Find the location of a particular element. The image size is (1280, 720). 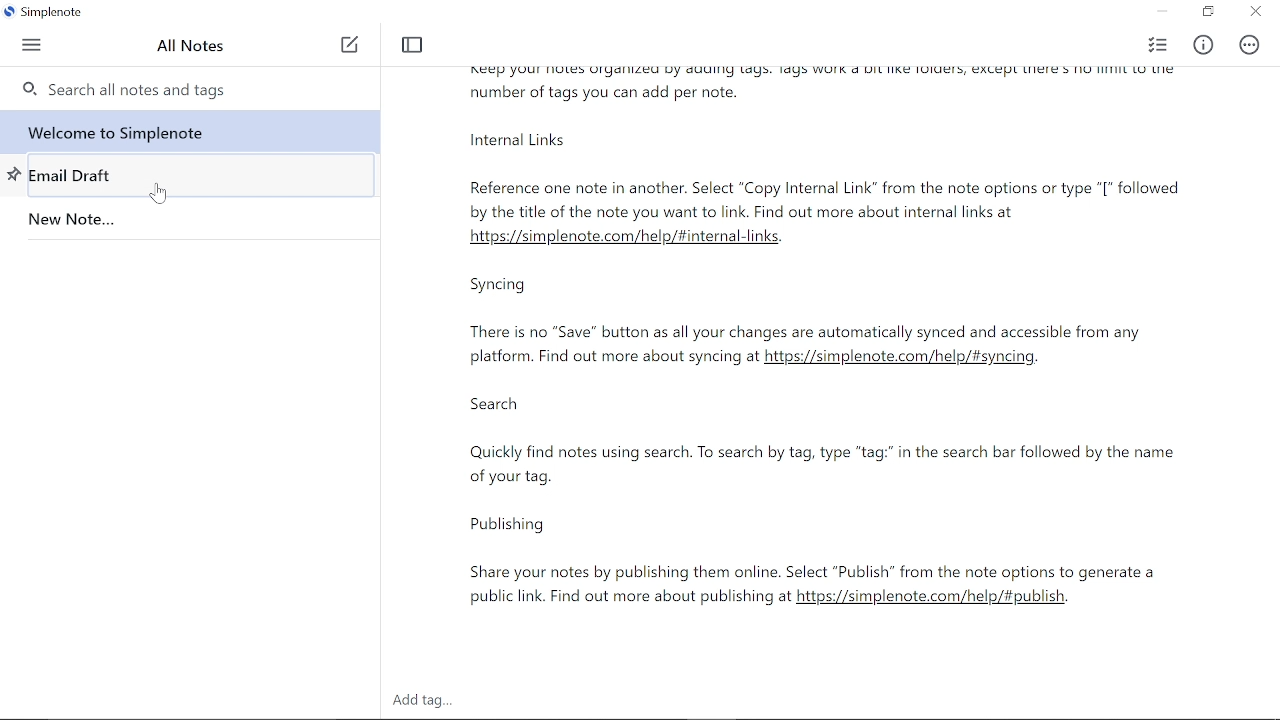

Menu is located at coordinates (31, 49).